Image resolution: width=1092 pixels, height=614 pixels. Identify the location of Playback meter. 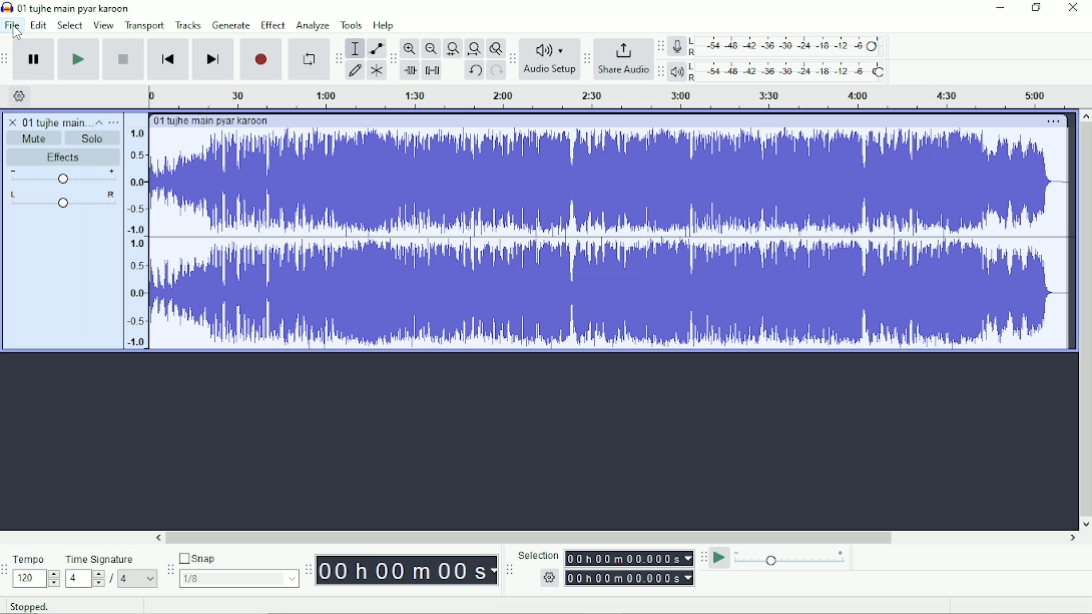
(781, 72).